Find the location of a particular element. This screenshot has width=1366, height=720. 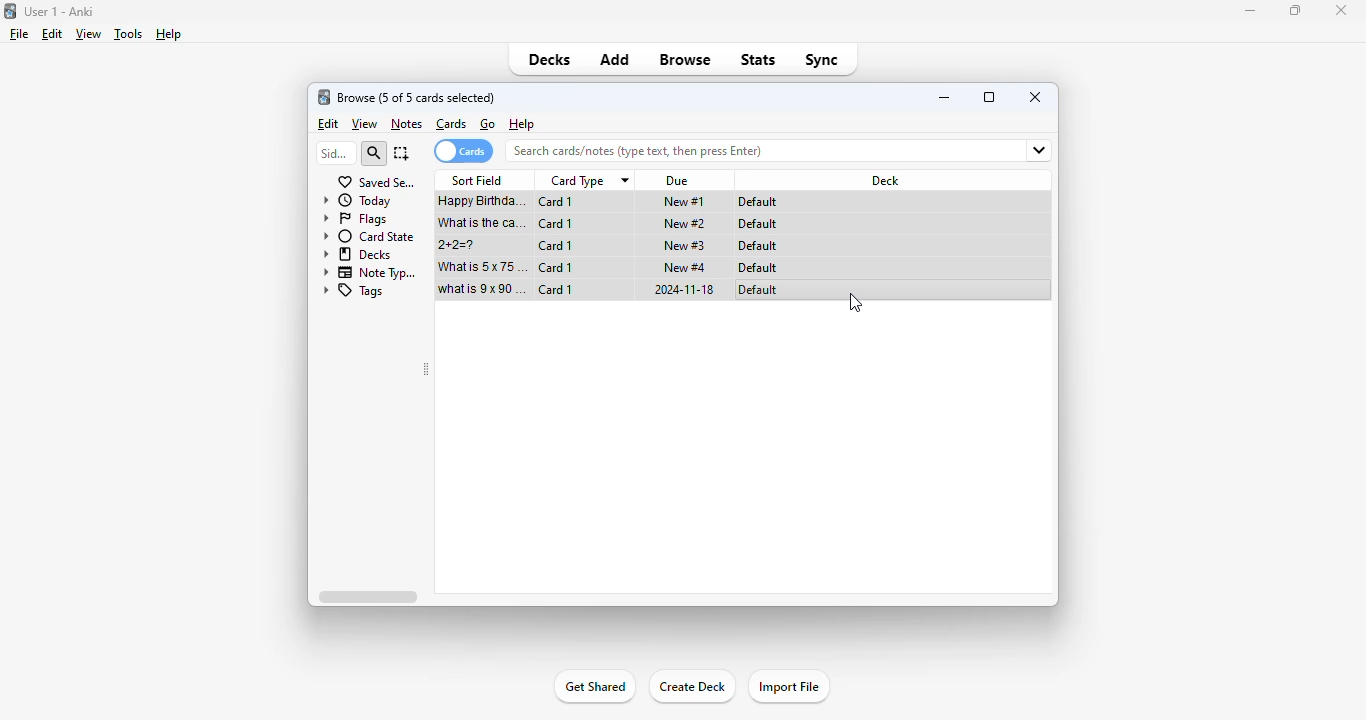

happy birthday song!!!.mp3 is located at coordinates (480, 202).